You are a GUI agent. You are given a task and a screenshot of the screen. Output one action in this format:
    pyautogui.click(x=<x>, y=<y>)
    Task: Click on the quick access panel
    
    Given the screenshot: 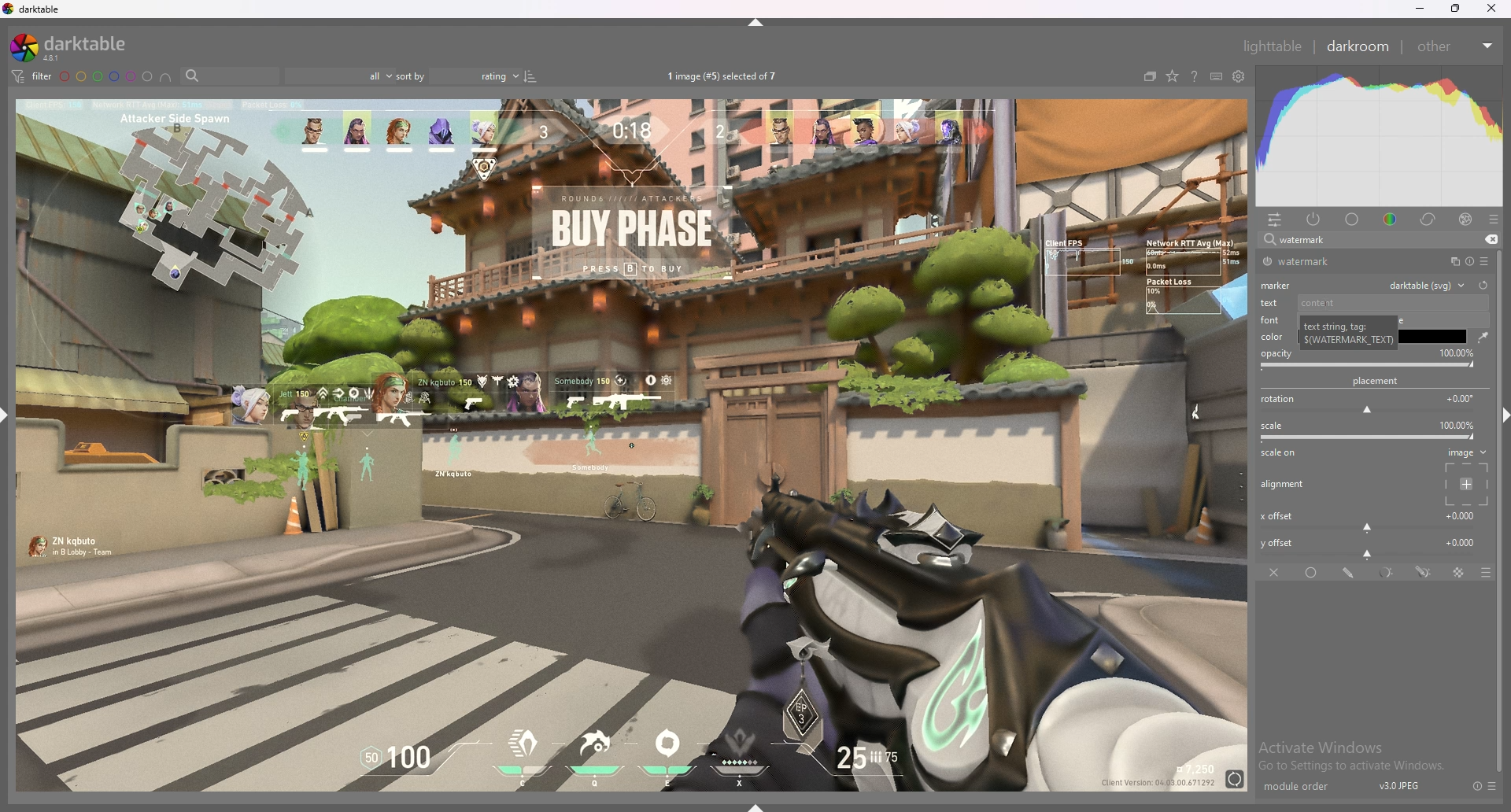 What is the action you would take?
    pyautogui.click(x=1275, y=220)
    